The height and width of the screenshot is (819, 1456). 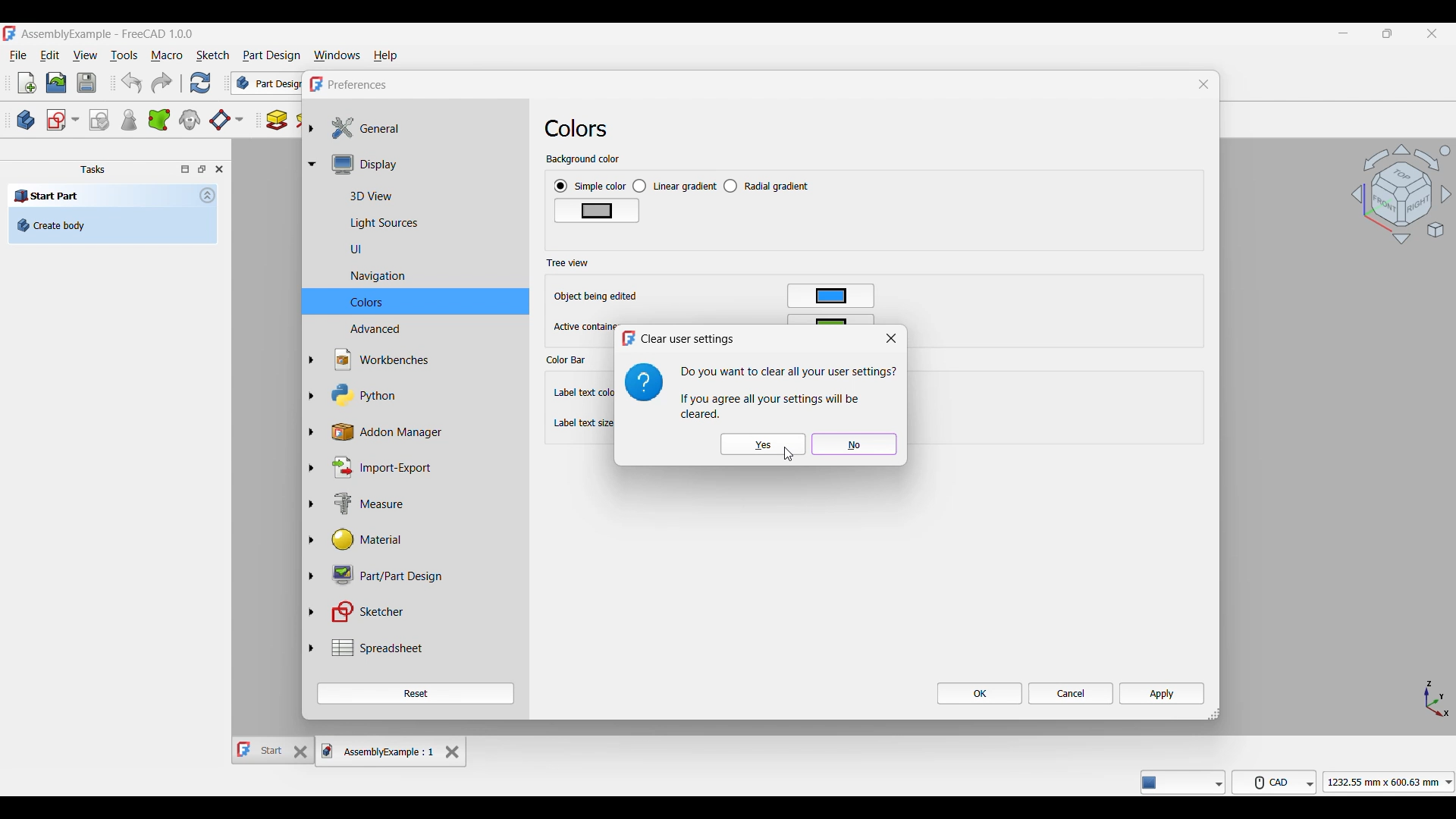 I want to click on Refresh, so click(x=201, y=83).